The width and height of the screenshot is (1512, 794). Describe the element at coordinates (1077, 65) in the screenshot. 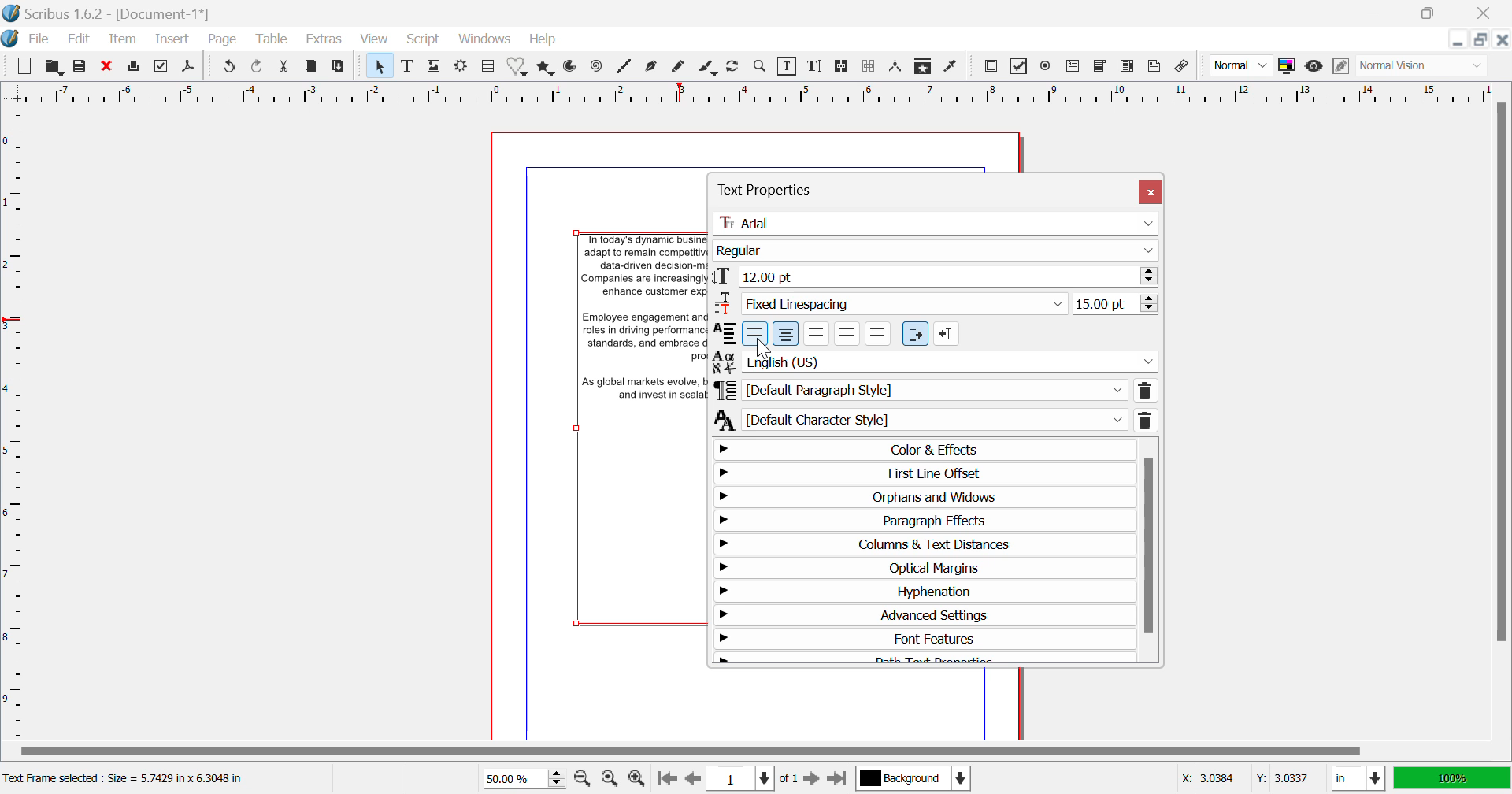

I see `Pdf Text Field` at that location.